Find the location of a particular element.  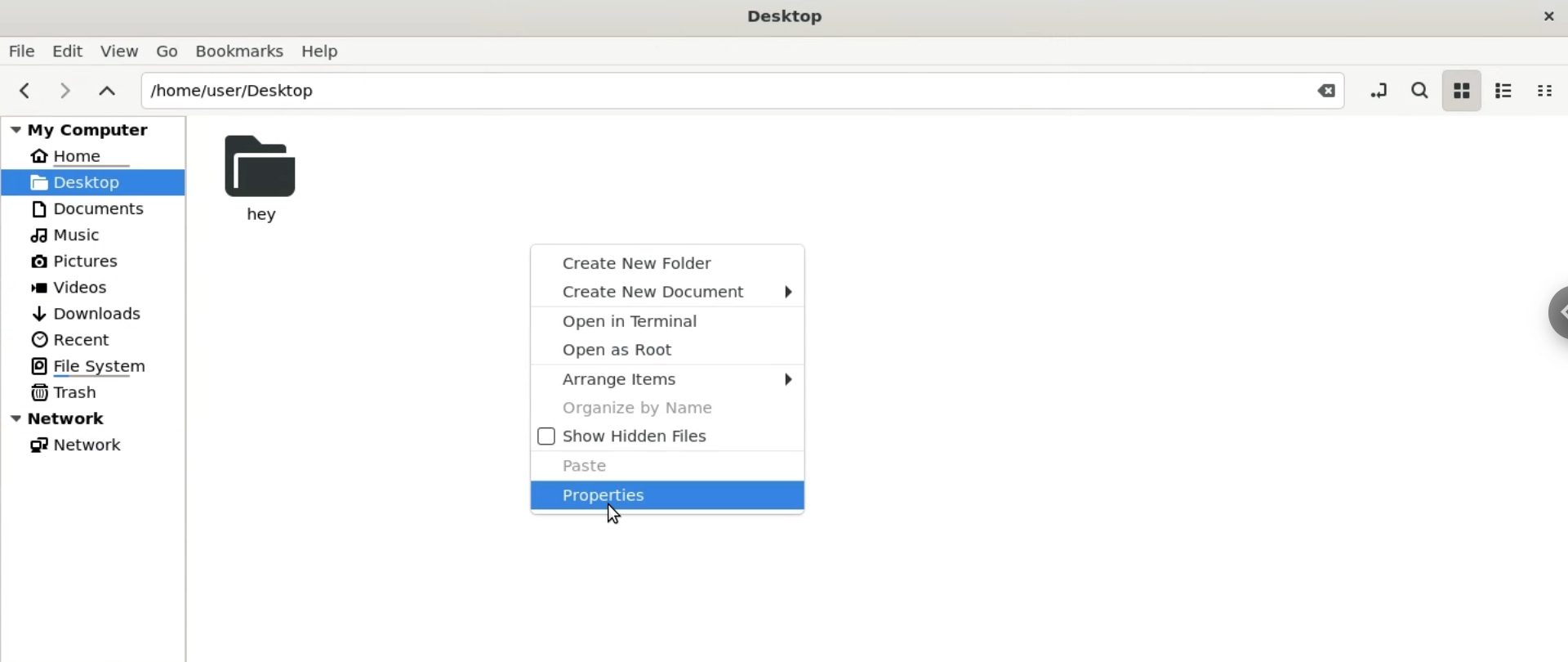

go  is located at coordinates (168, 49).